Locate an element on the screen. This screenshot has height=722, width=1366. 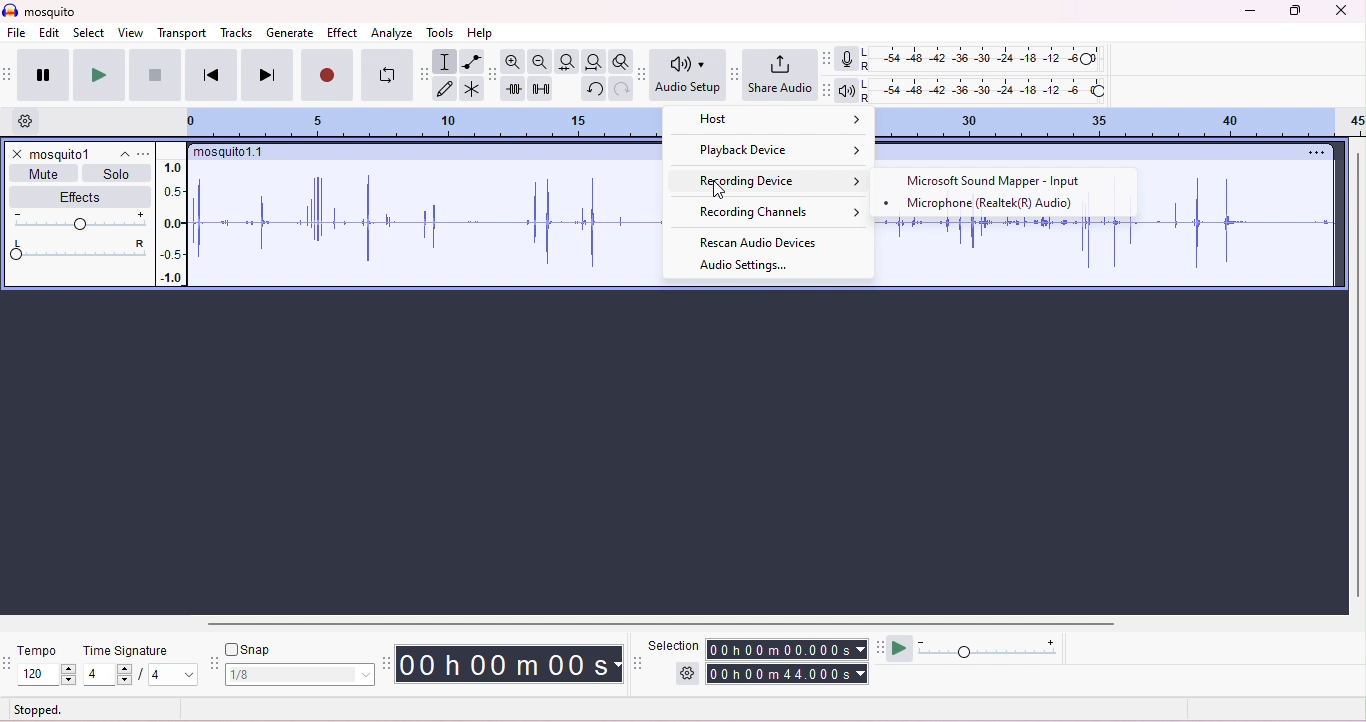
audio settings is located at coordinates (743, 266).